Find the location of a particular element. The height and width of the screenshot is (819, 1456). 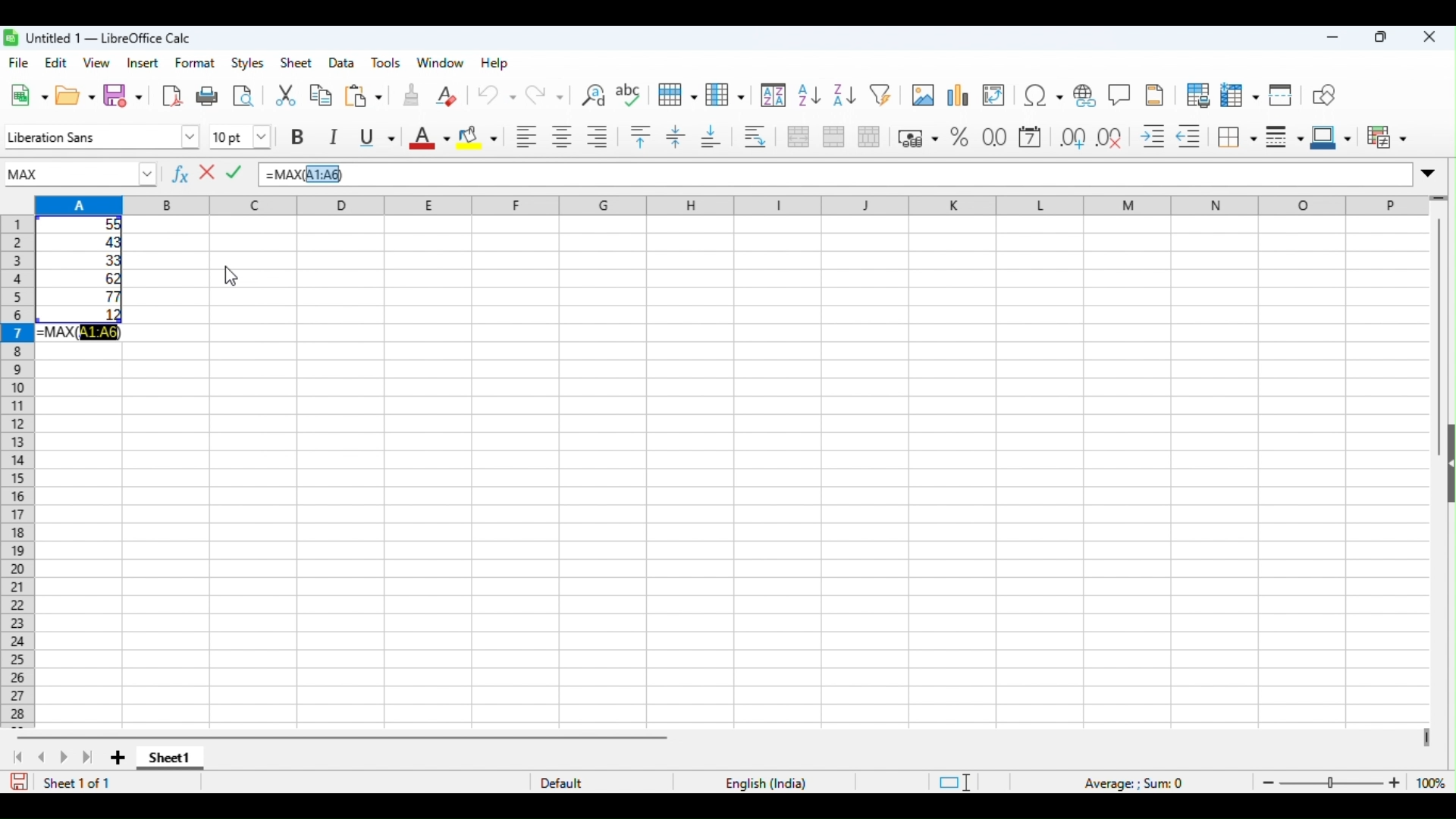

data is located at coordinates (341, 61).